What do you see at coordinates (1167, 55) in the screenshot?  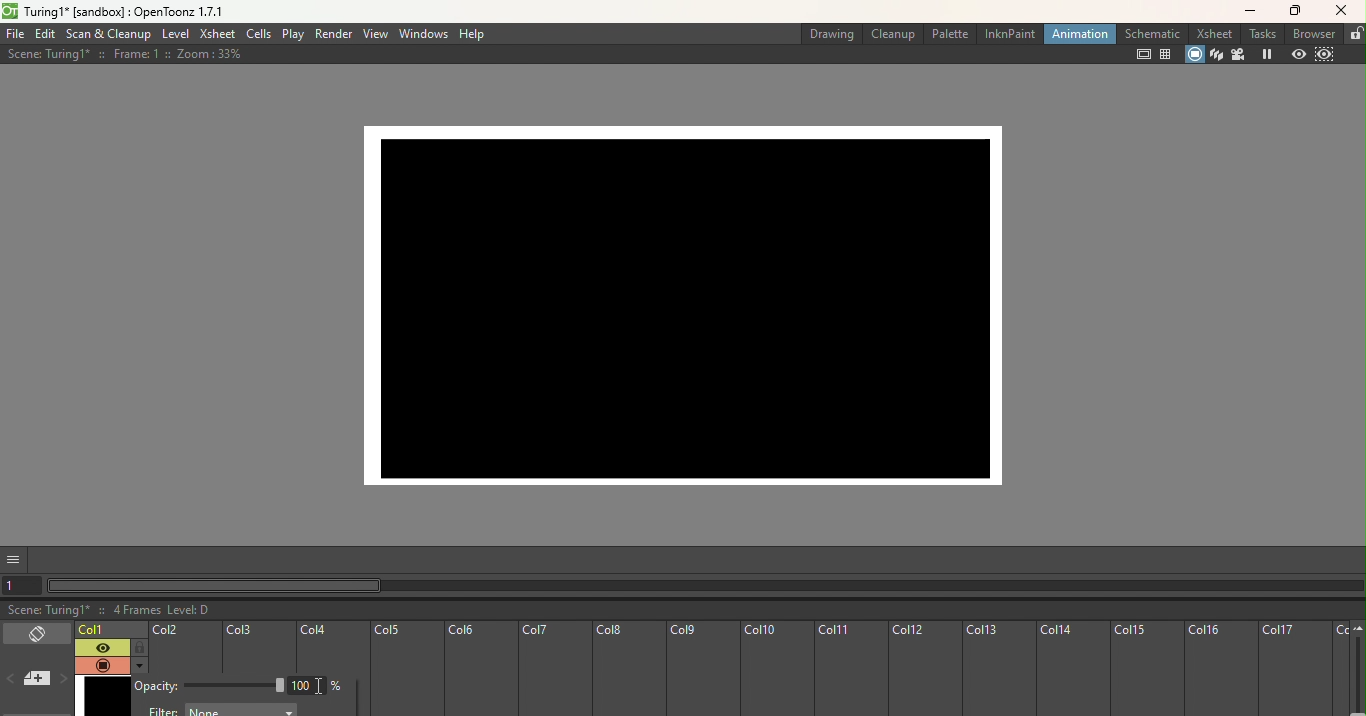 I see `Field guide` at bounding box center [1167, 55].